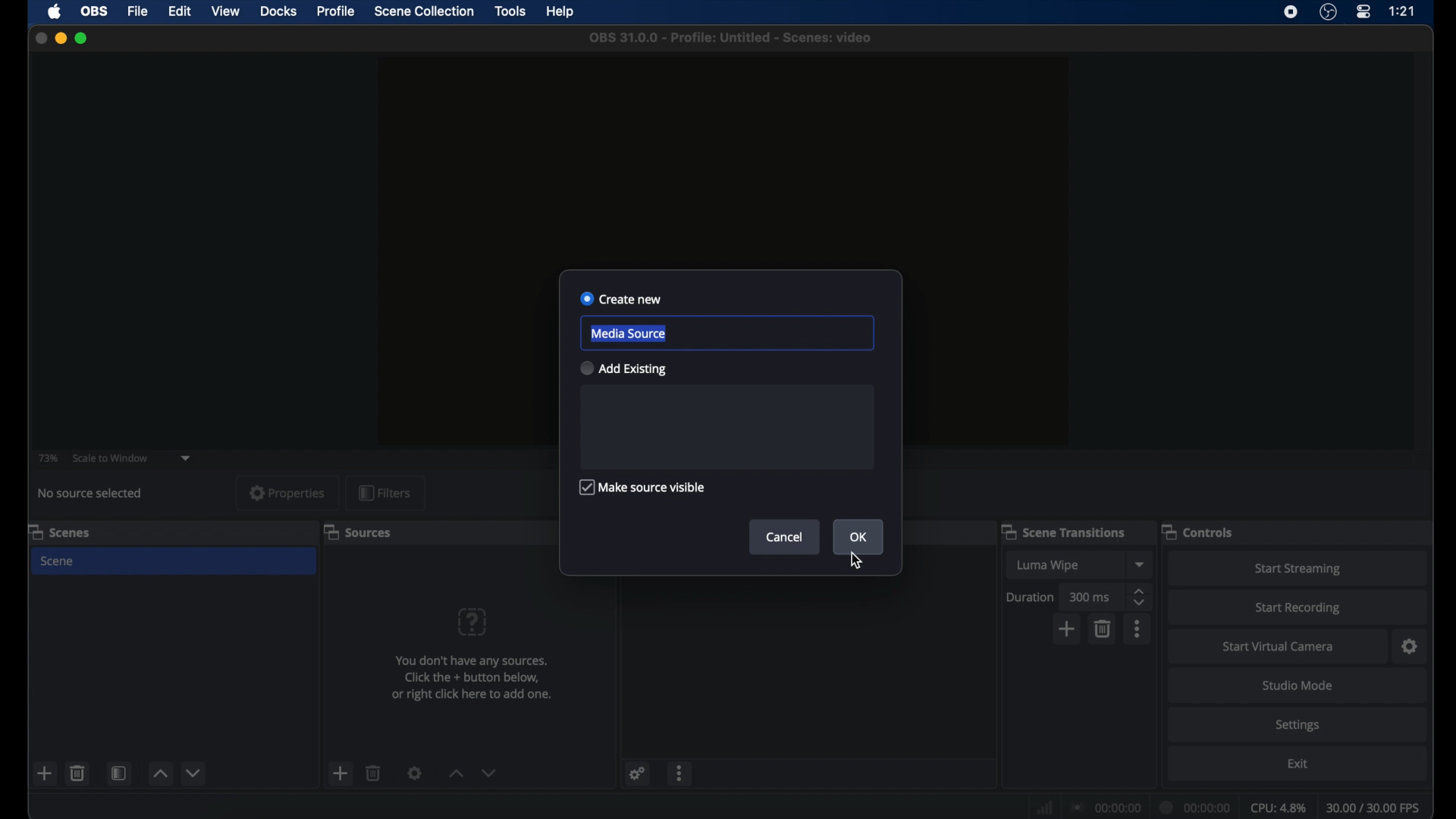 This screenshot has height=819, width=1456. I want to click on decrement, so click(491, 772).